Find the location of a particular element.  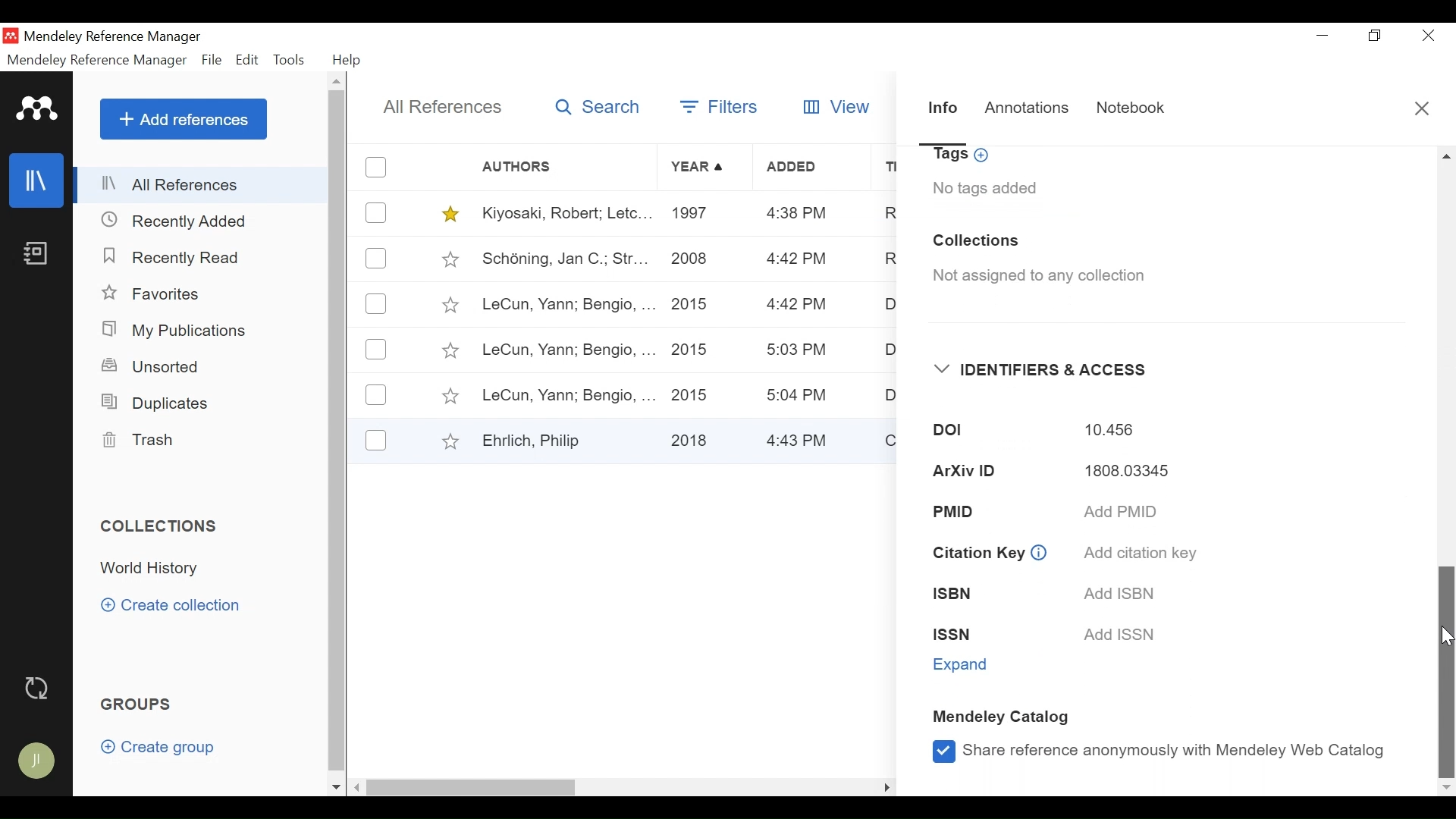

Add ISSN is located at coordinates (1123, 635).